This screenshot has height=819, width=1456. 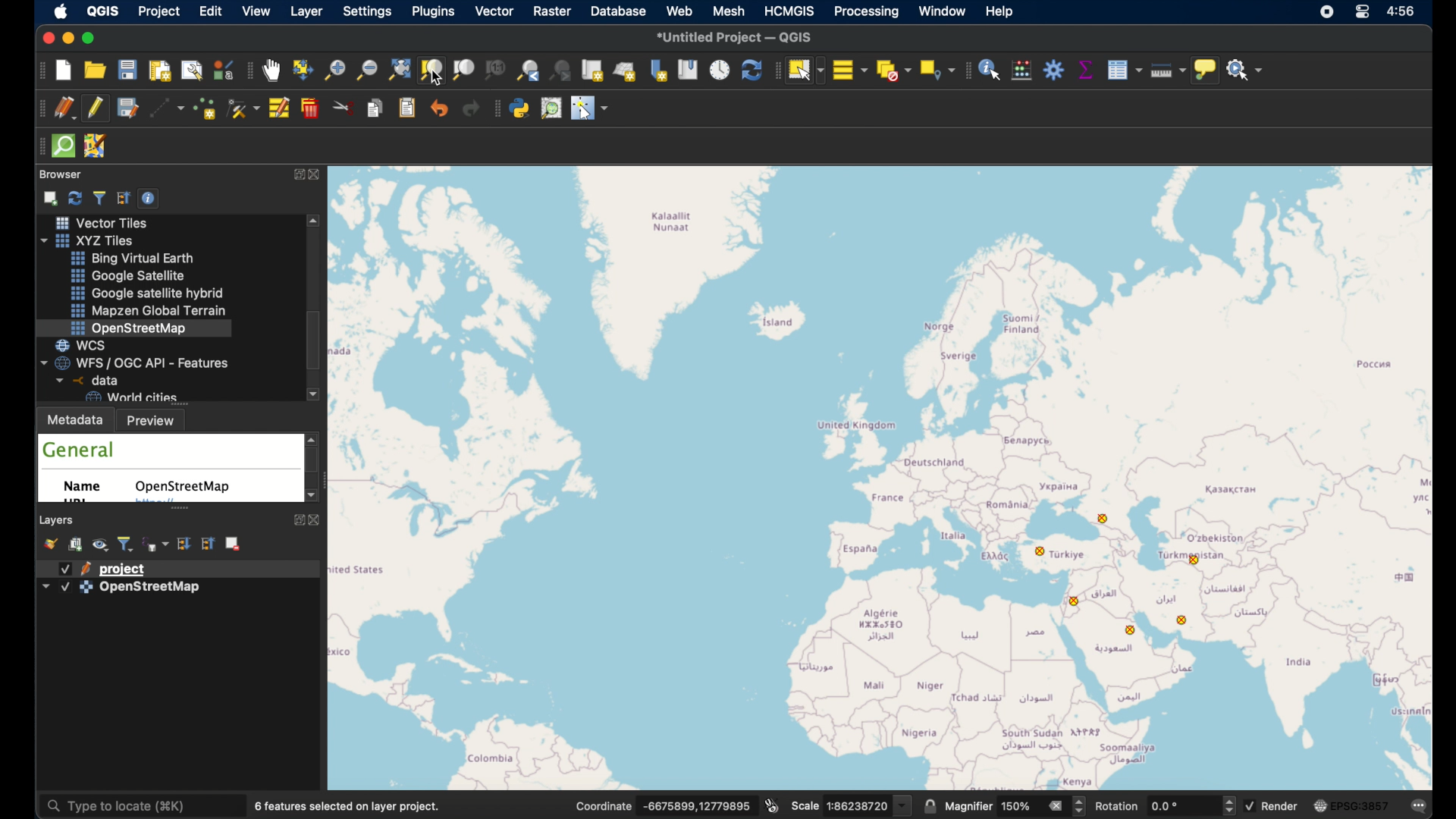 I want to click on collapse all, so click(x=207, y=543).